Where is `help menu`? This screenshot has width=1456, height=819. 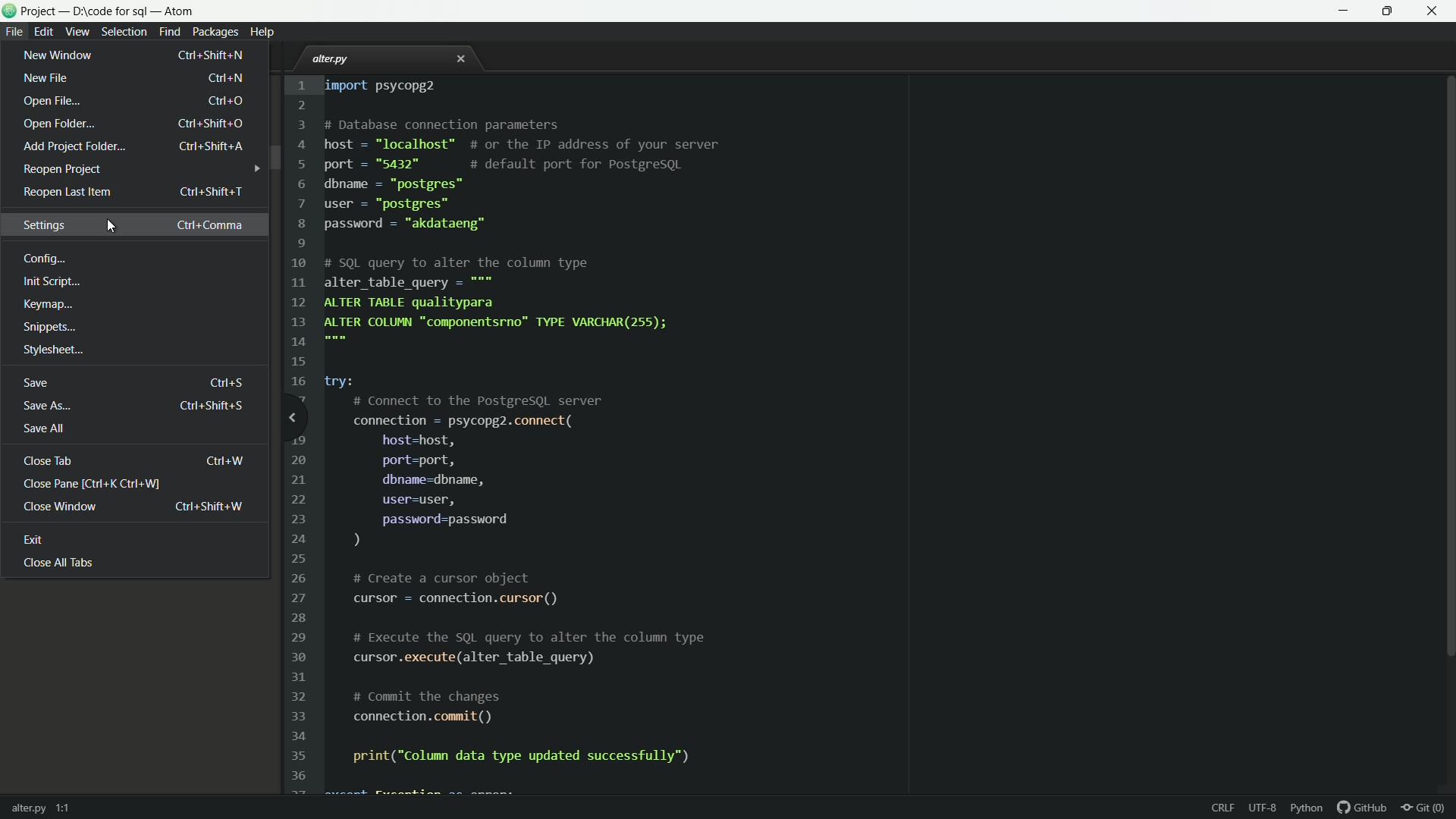
help menu is located at coordinates (265, 32).